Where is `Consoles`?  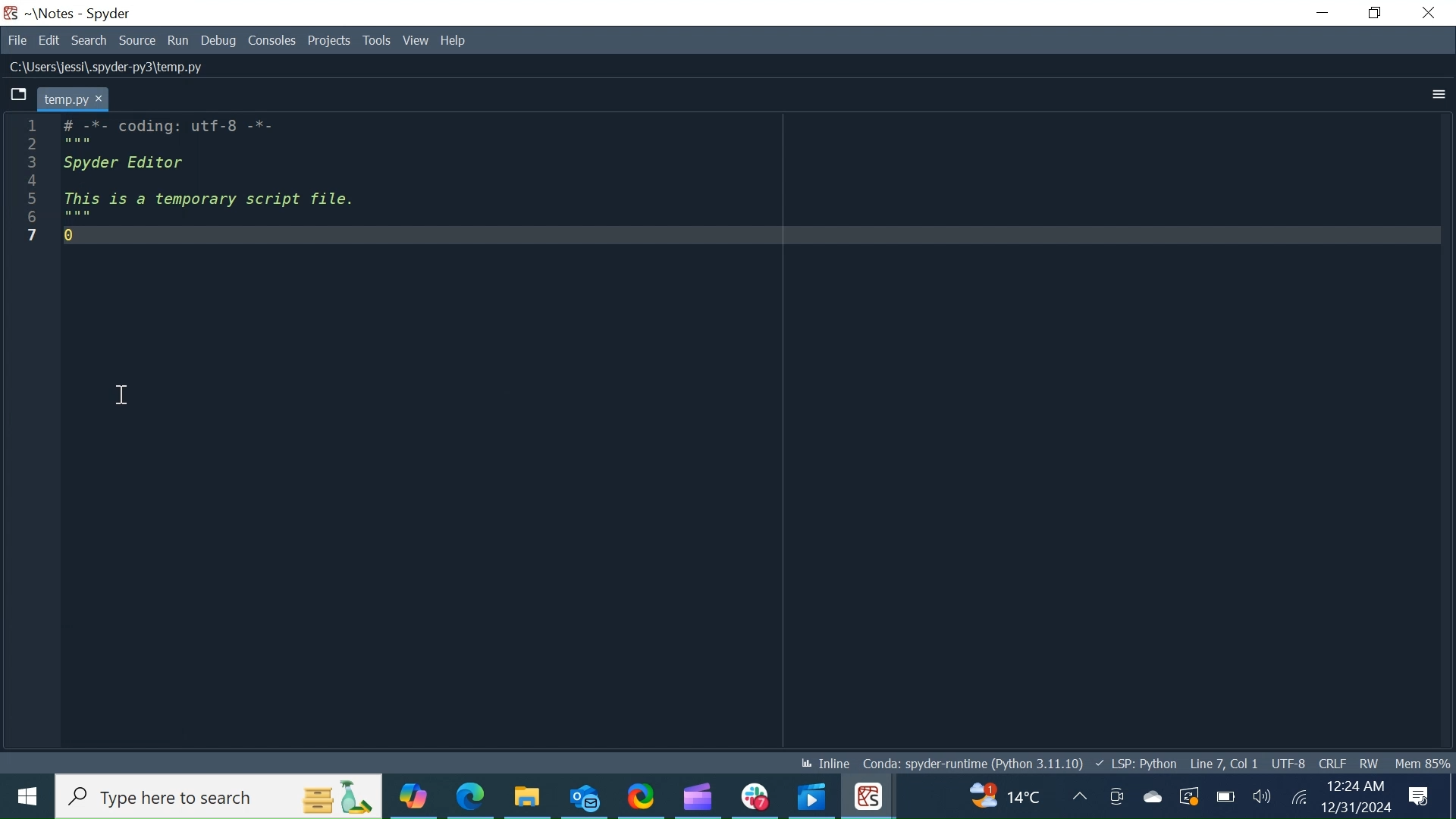
Consoles is located at coordinates (273, 42).